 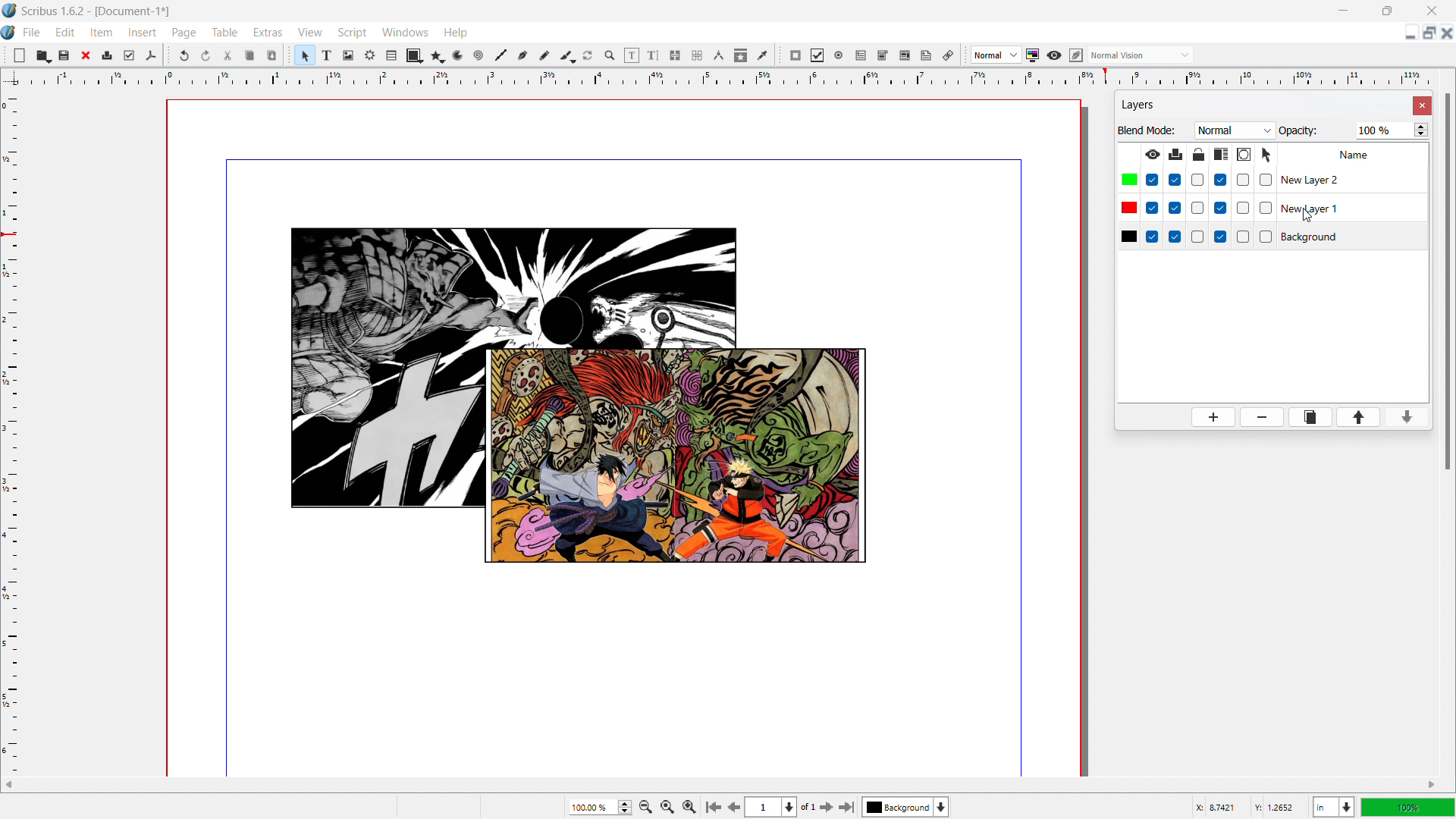 What do you see at coordinates (102, 33) in the screenshot?
I see `item` at bounding box center [102, 33].